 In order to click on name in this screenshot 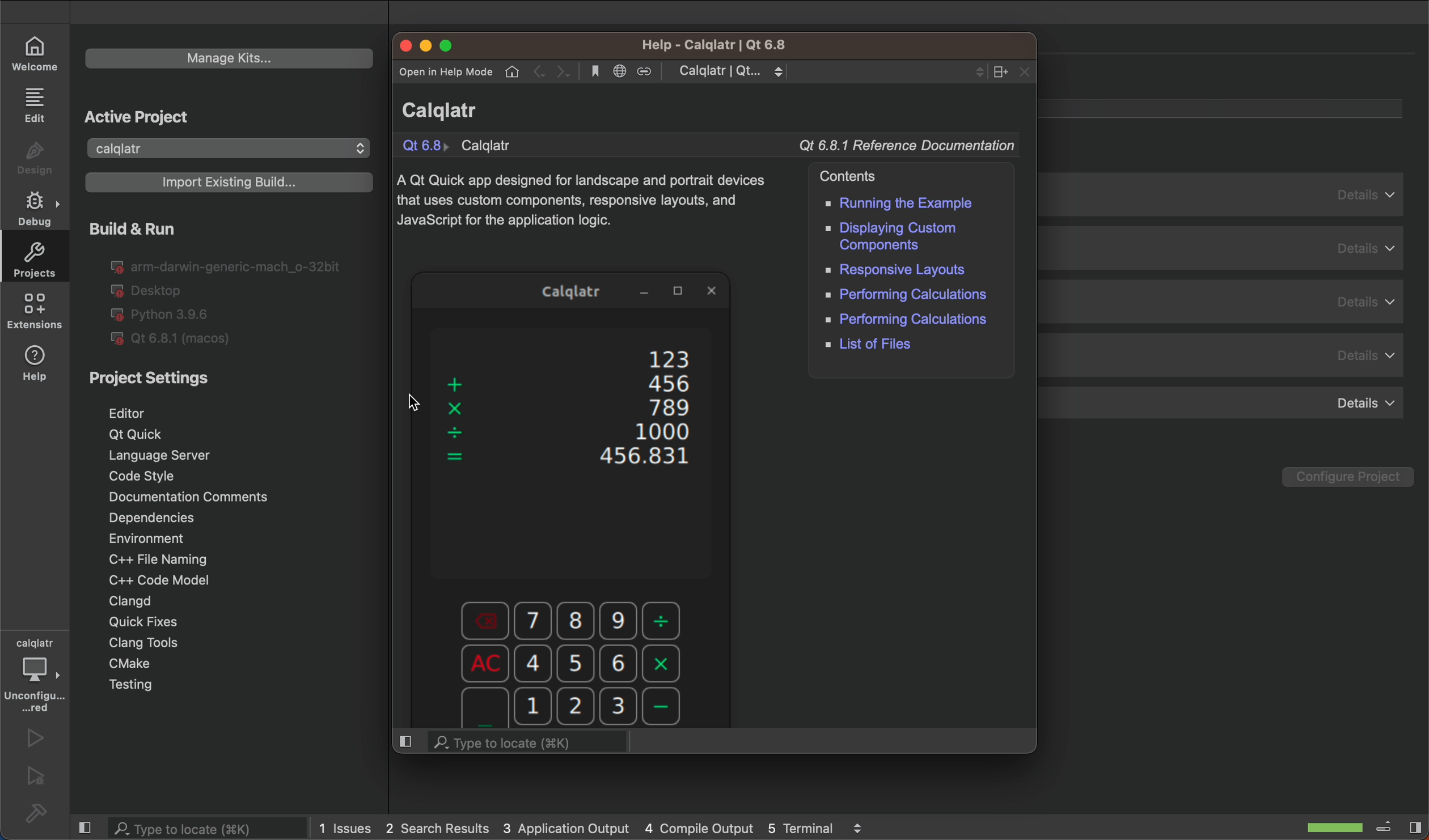, I will do `click(443, 110)`.